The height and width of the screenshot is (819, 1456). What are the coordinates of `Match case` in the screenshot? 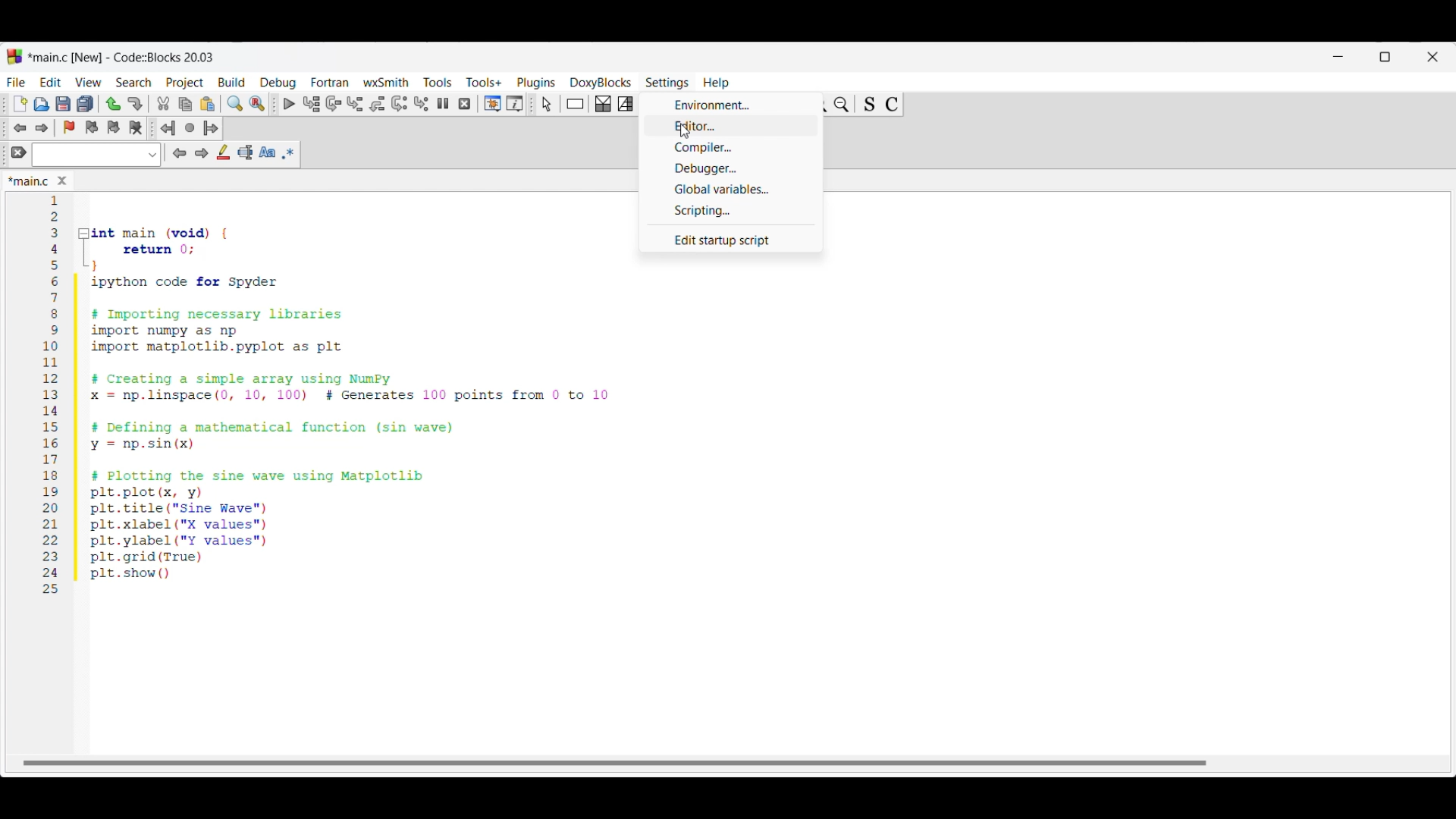 It's located at (267, 152).